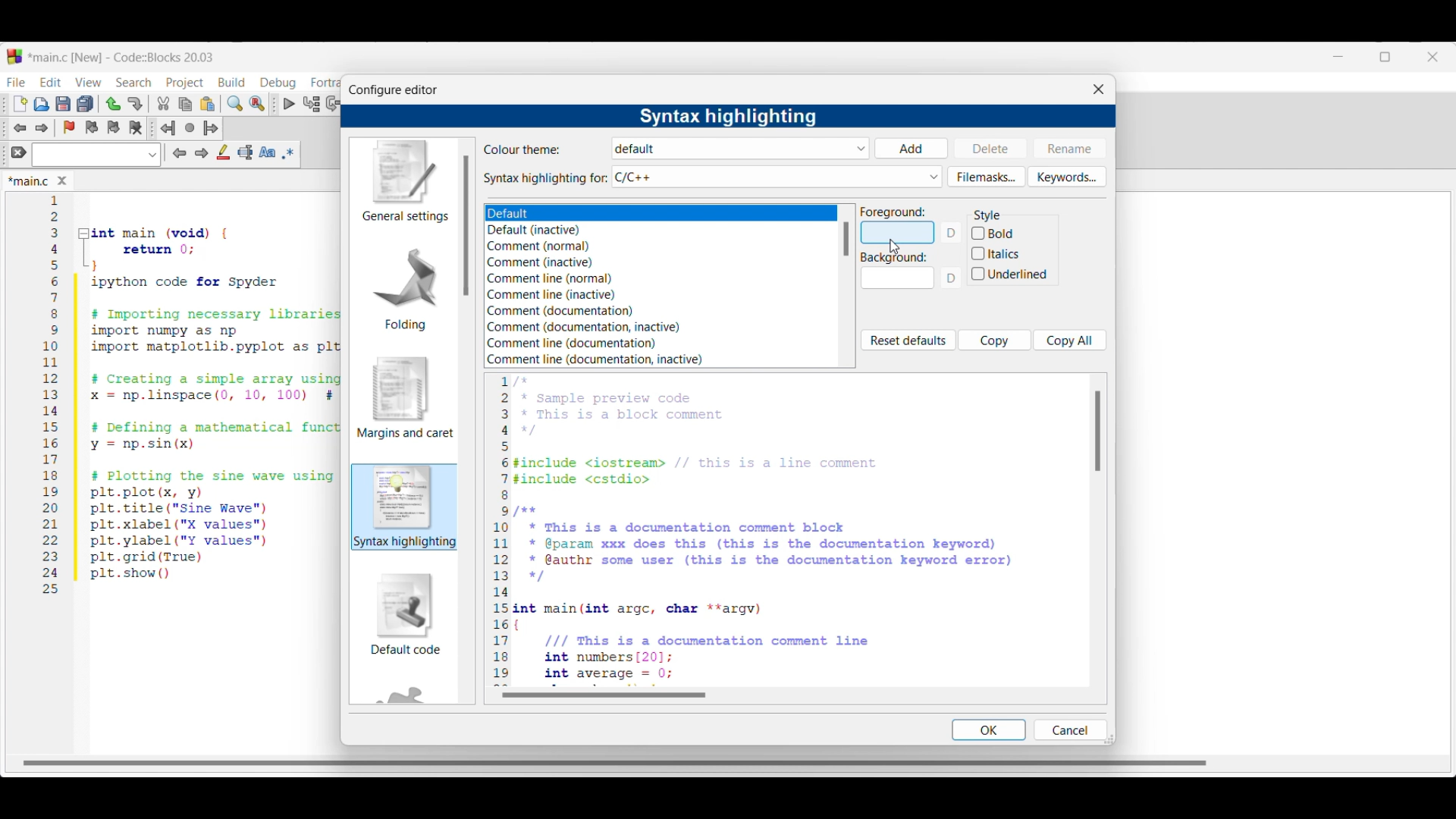  Describe the element at coordinates (190, 127) in the screenshot. I see `Last jump` at that location.